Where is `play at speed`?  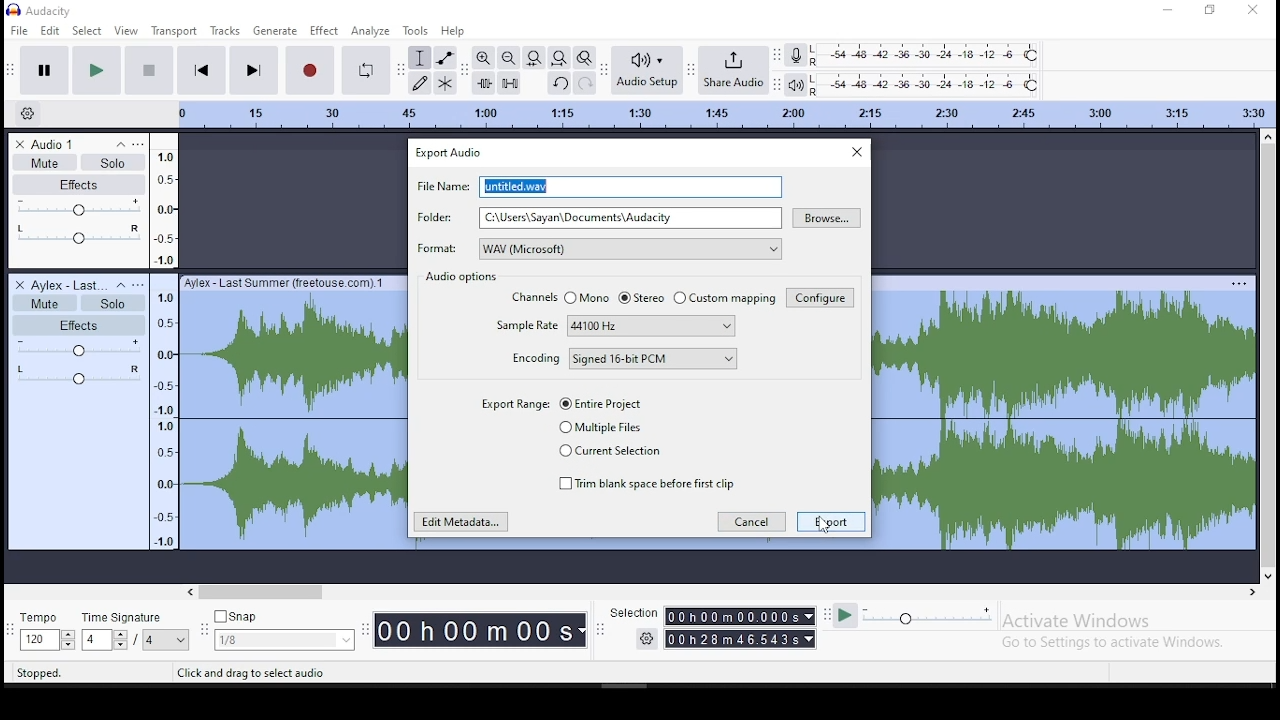
play at speed is located at coordinates (847, 617).